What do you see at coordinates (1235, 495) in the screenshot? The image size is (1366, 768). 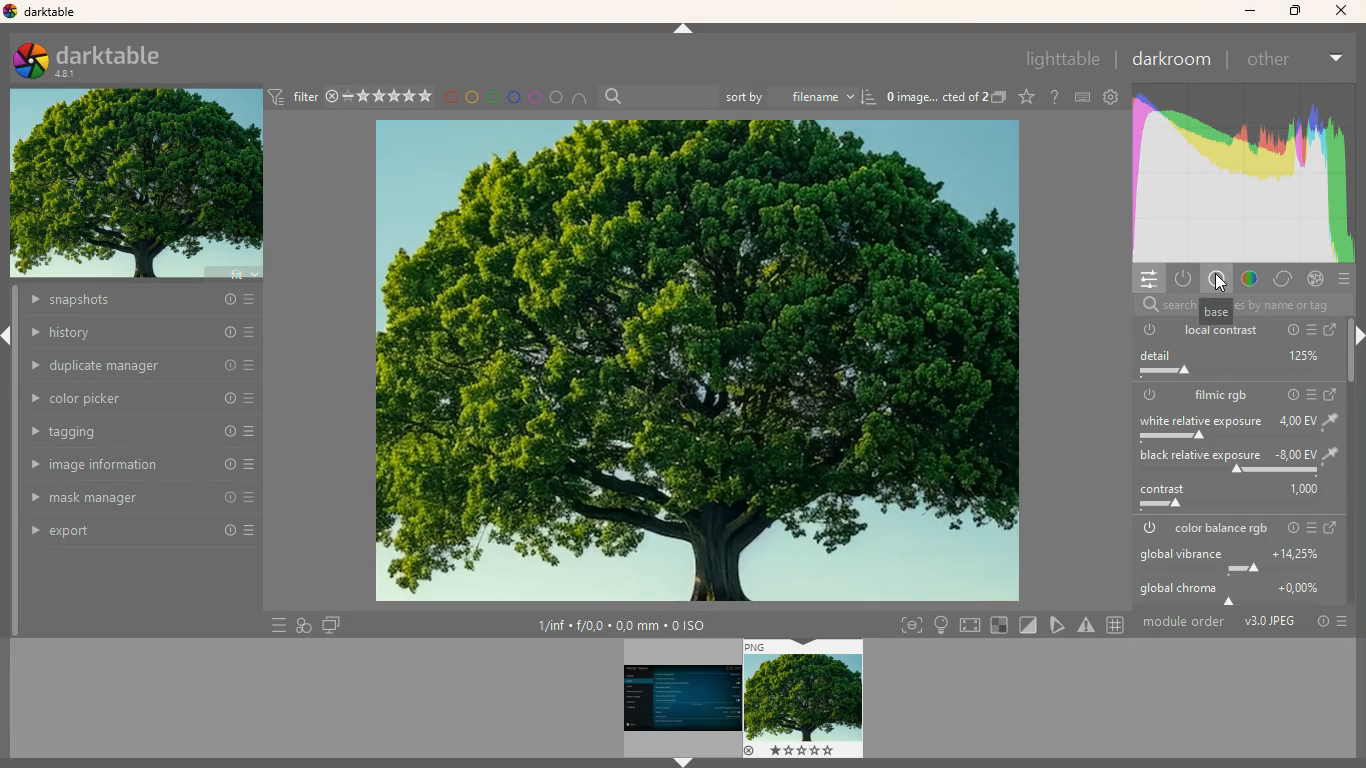 I see `contrast` at bounding box center [1235, 495].